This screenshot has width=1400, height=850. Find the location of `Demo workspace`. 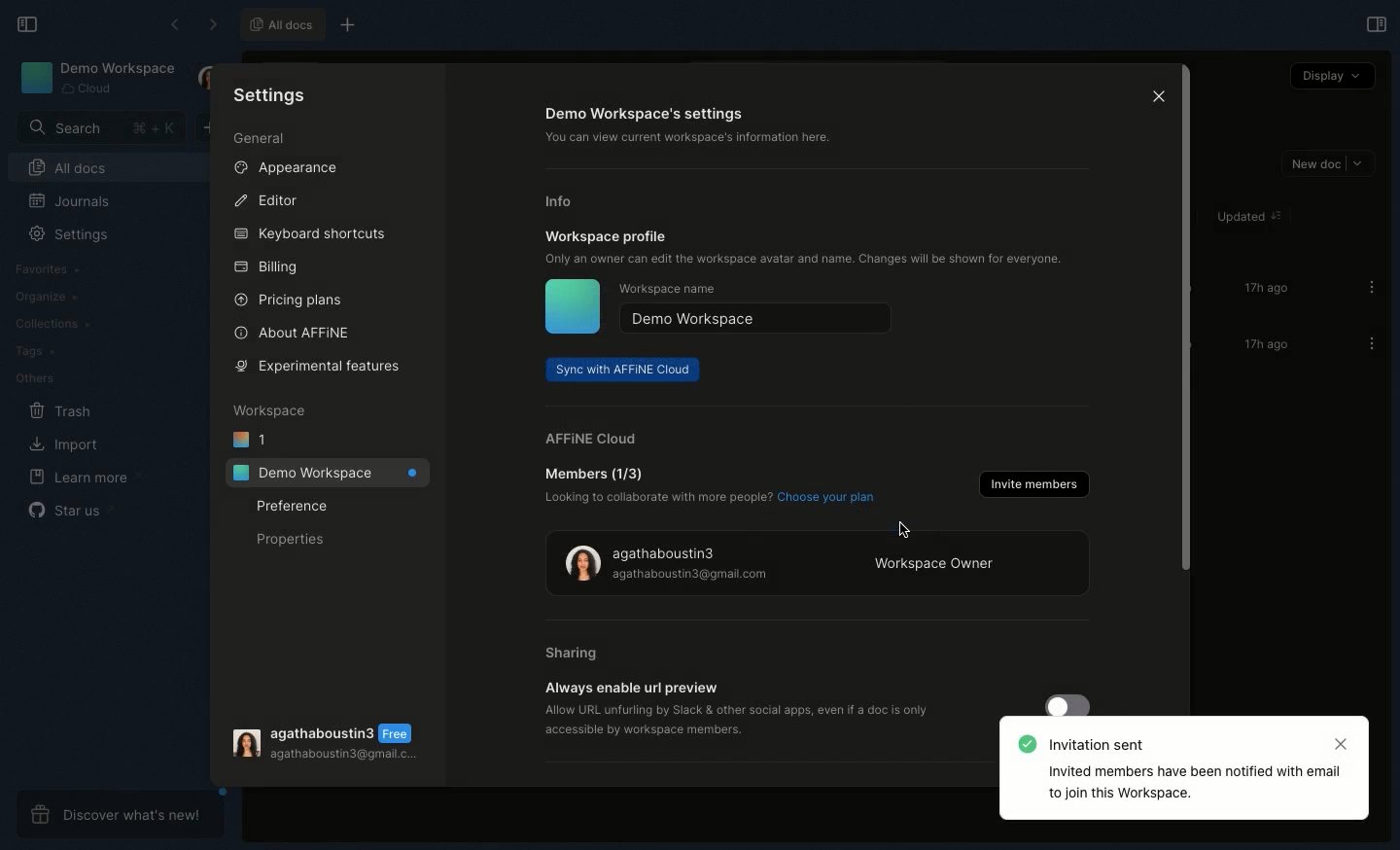

Demo workspace is located at coordinates (97, 78).